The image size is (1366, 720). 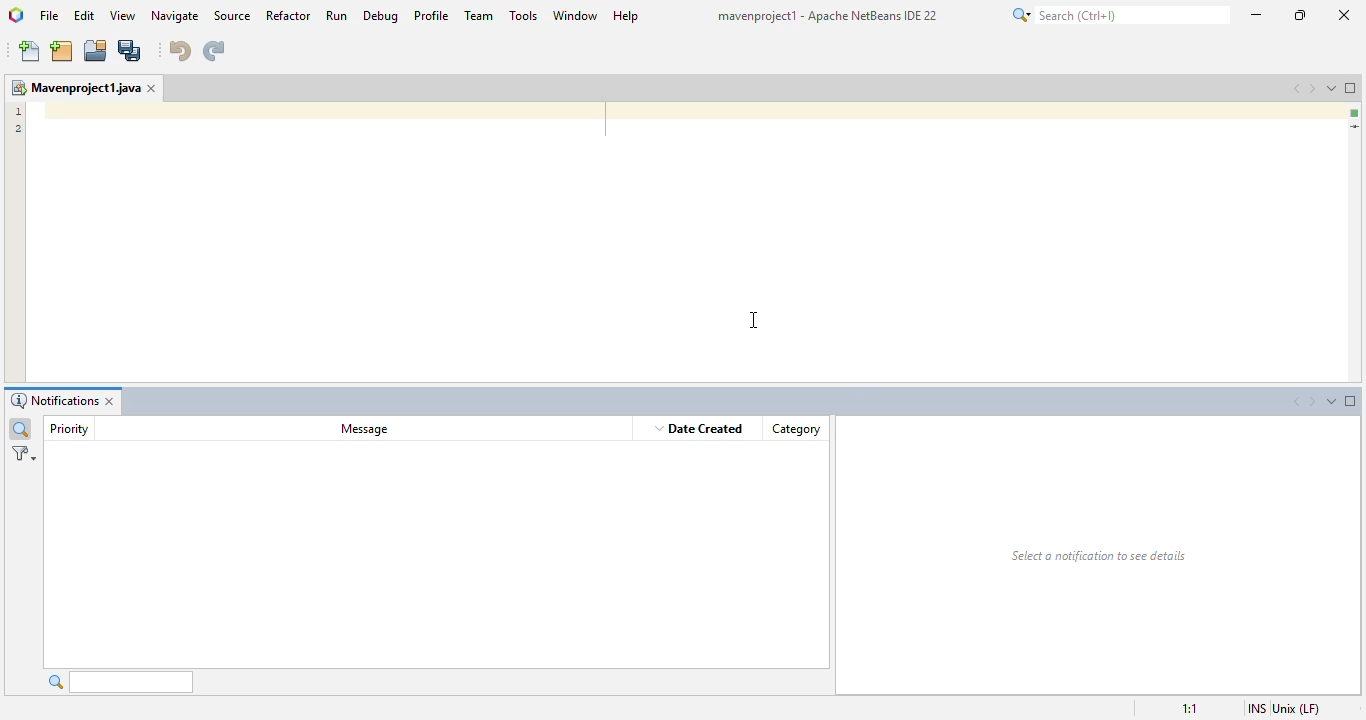 What do you see at coordinates (1187, 707) in the screenshot?
I see `magnification ratio` at bounding box center [1187, 707].